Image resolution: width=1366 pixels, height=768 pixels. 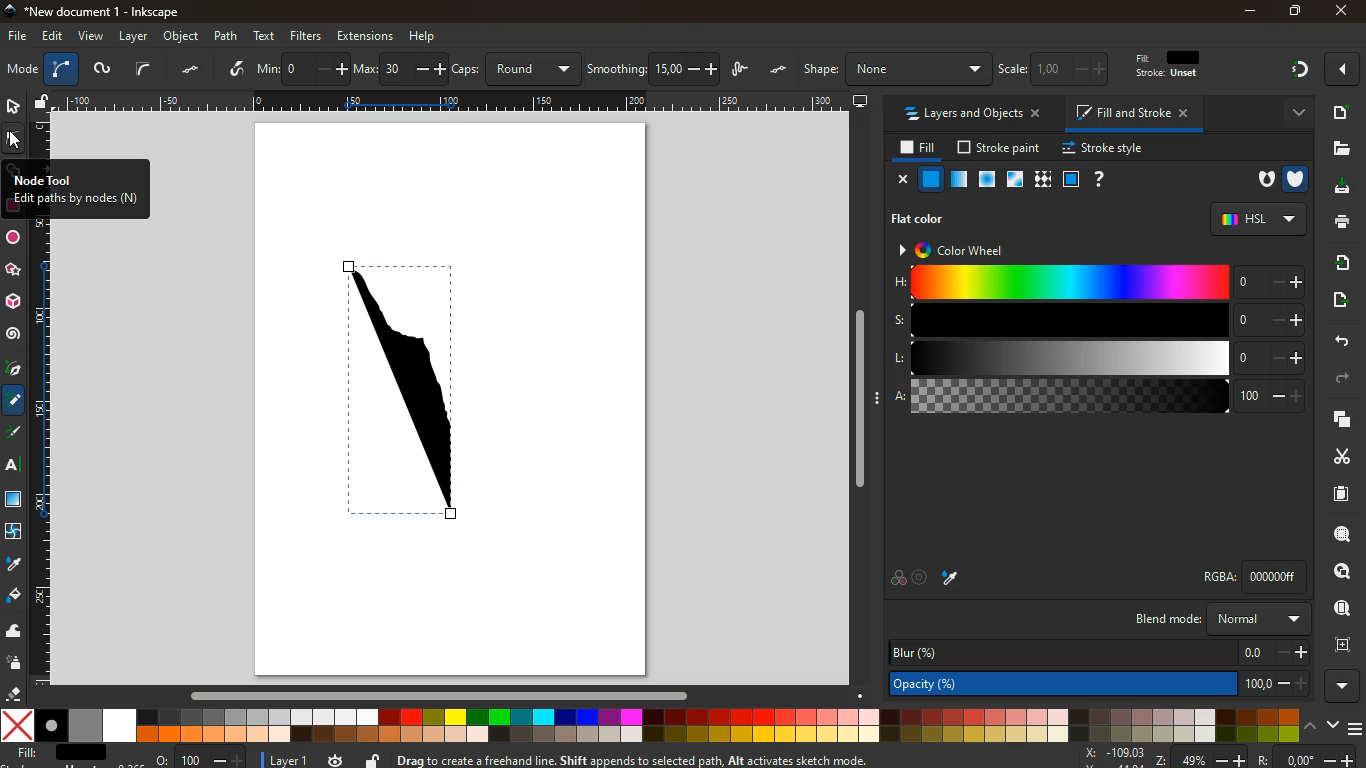 I want to click on screen, so click(x=861, y=100).